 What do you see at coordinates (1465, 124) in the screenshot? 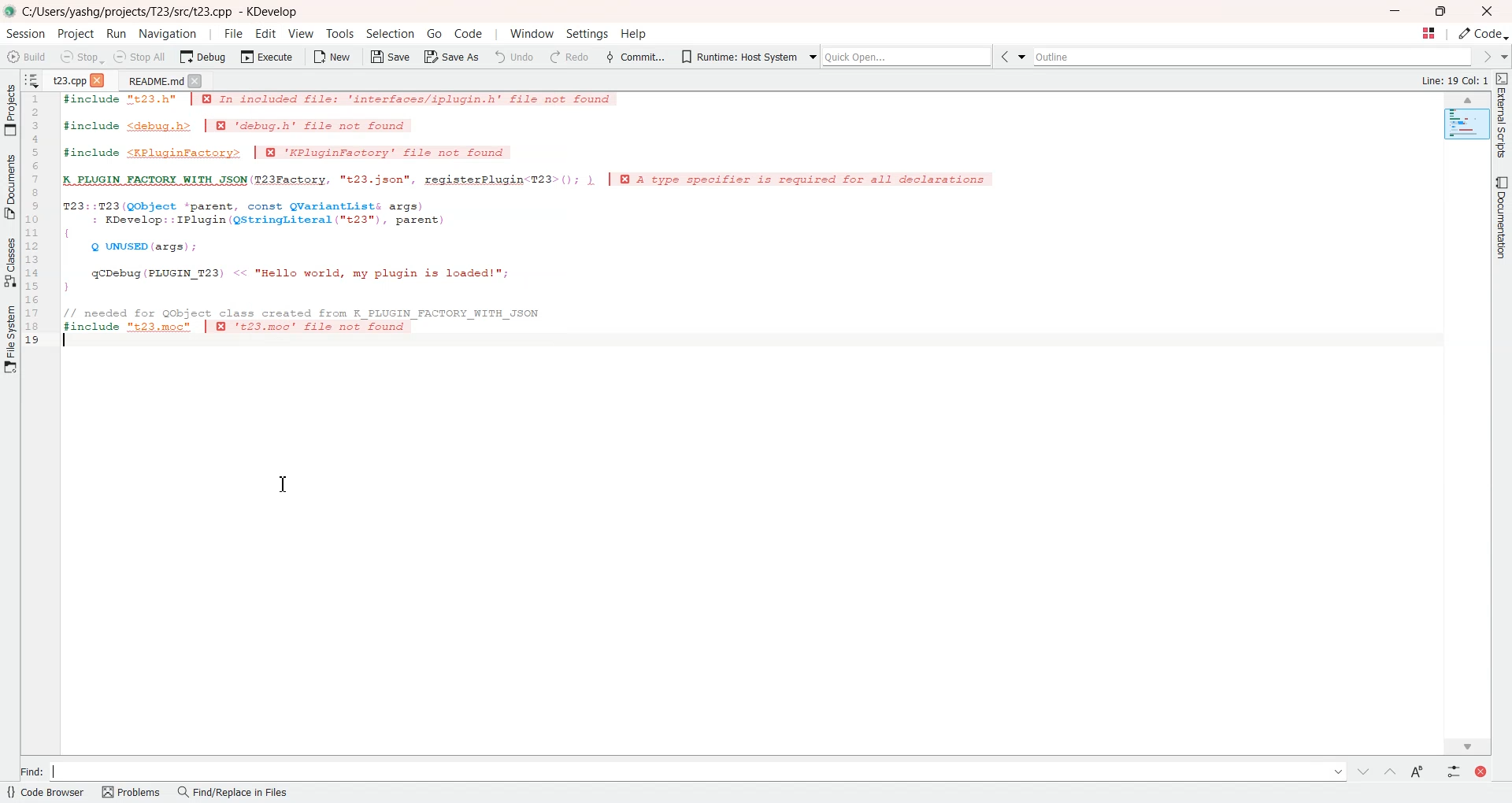
I see `File overview` at bounding box center [1465, 124].